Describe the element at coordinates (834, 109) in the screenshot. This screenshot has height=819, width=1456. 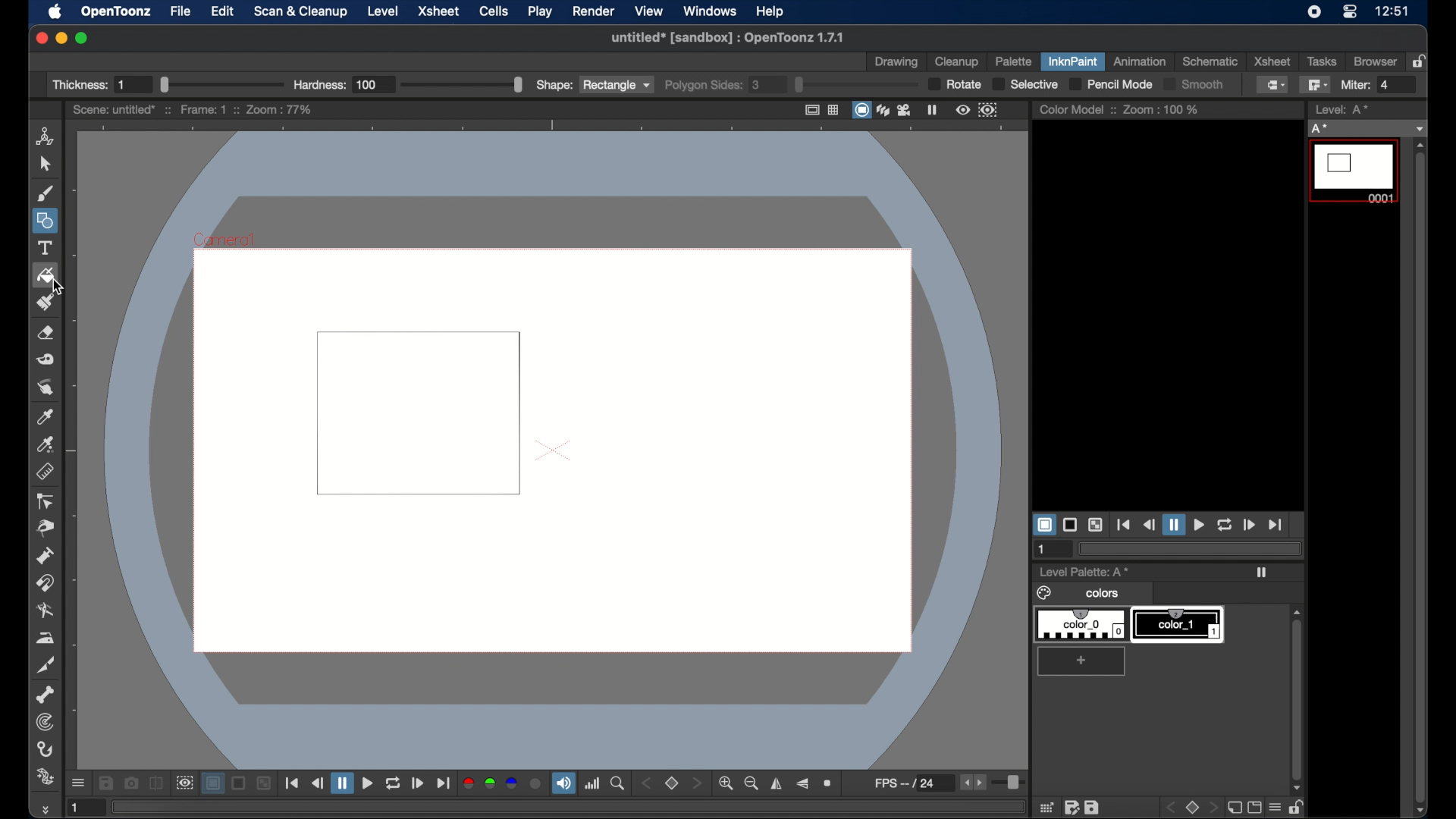
I see `field guide` at that location.